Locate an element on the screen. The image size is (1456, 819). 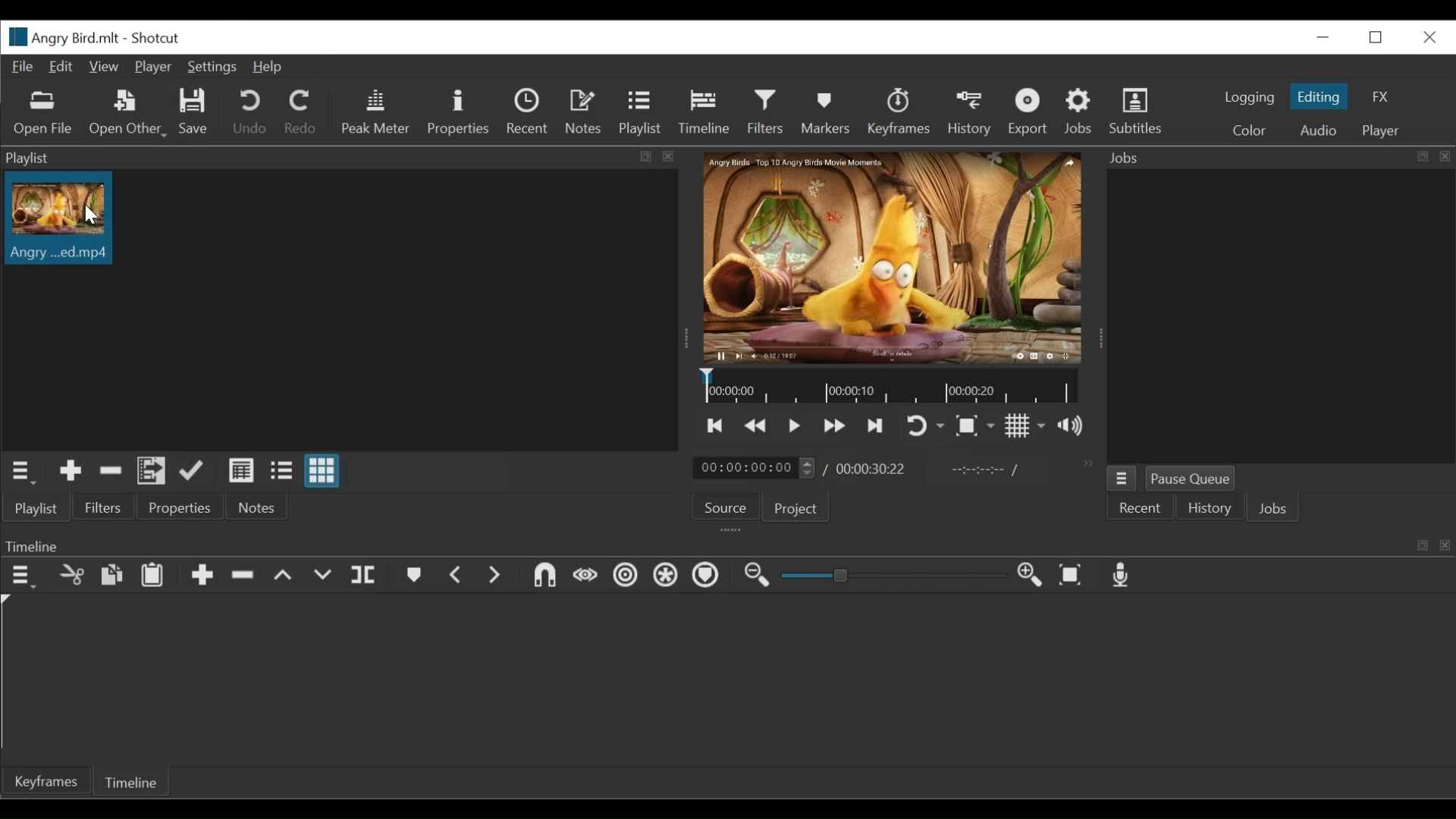
In point is located at coordinates (984, 470).